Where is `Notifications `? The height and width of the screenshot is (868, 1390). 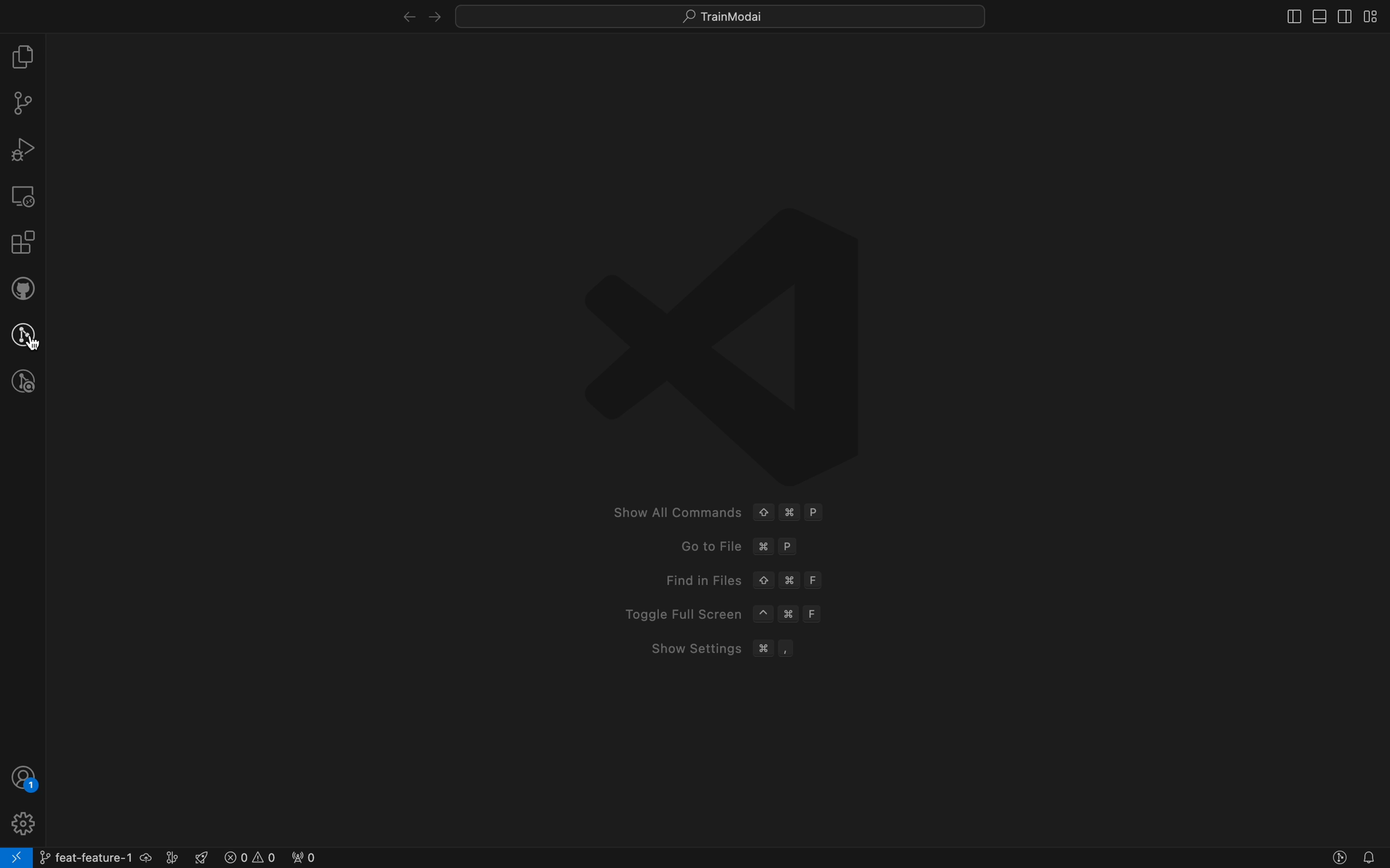
Notifications  is located at coordinates (1370, 857).